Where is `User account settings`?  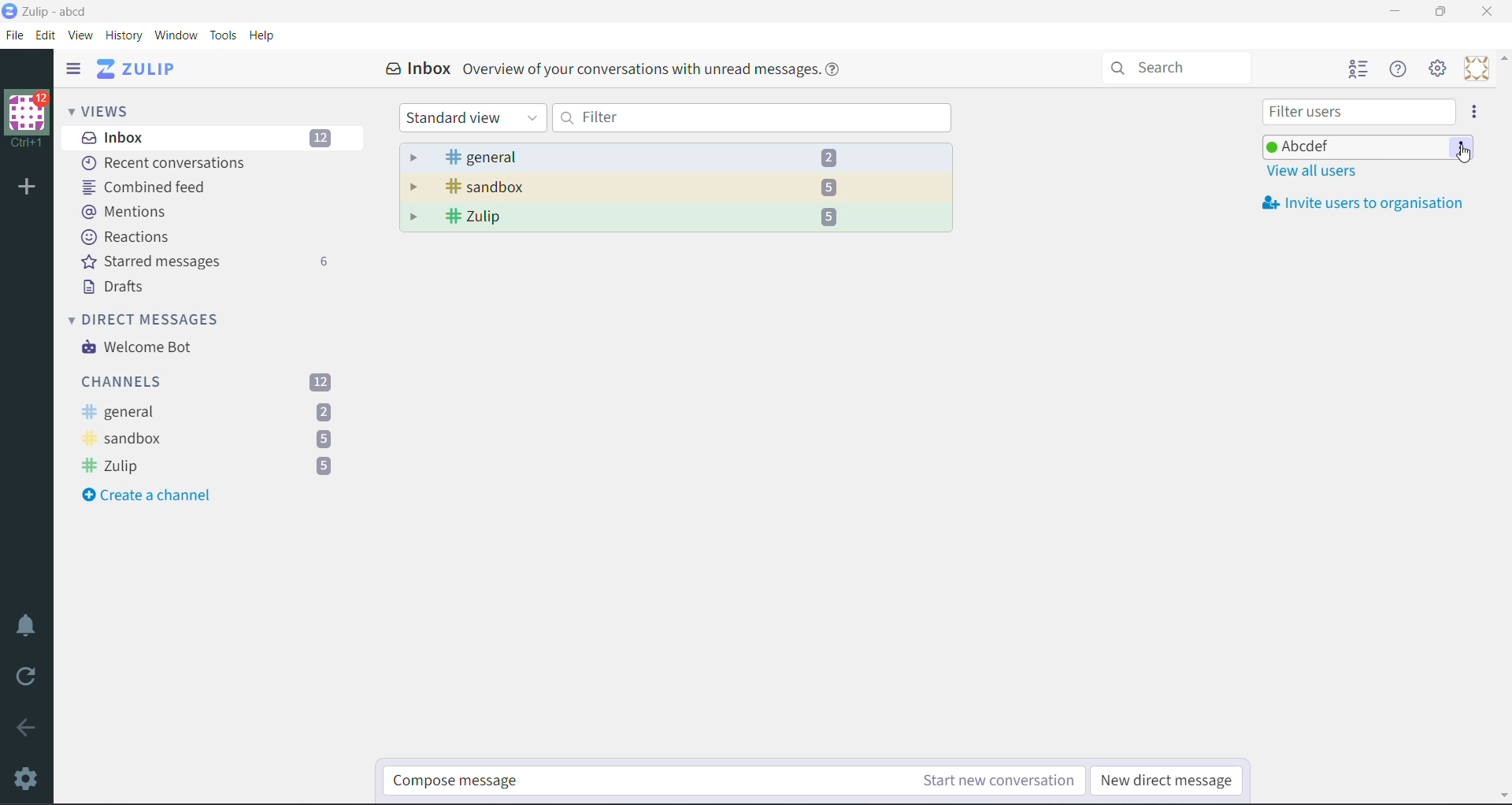
User account settings is located at coordinates (1462, 147).